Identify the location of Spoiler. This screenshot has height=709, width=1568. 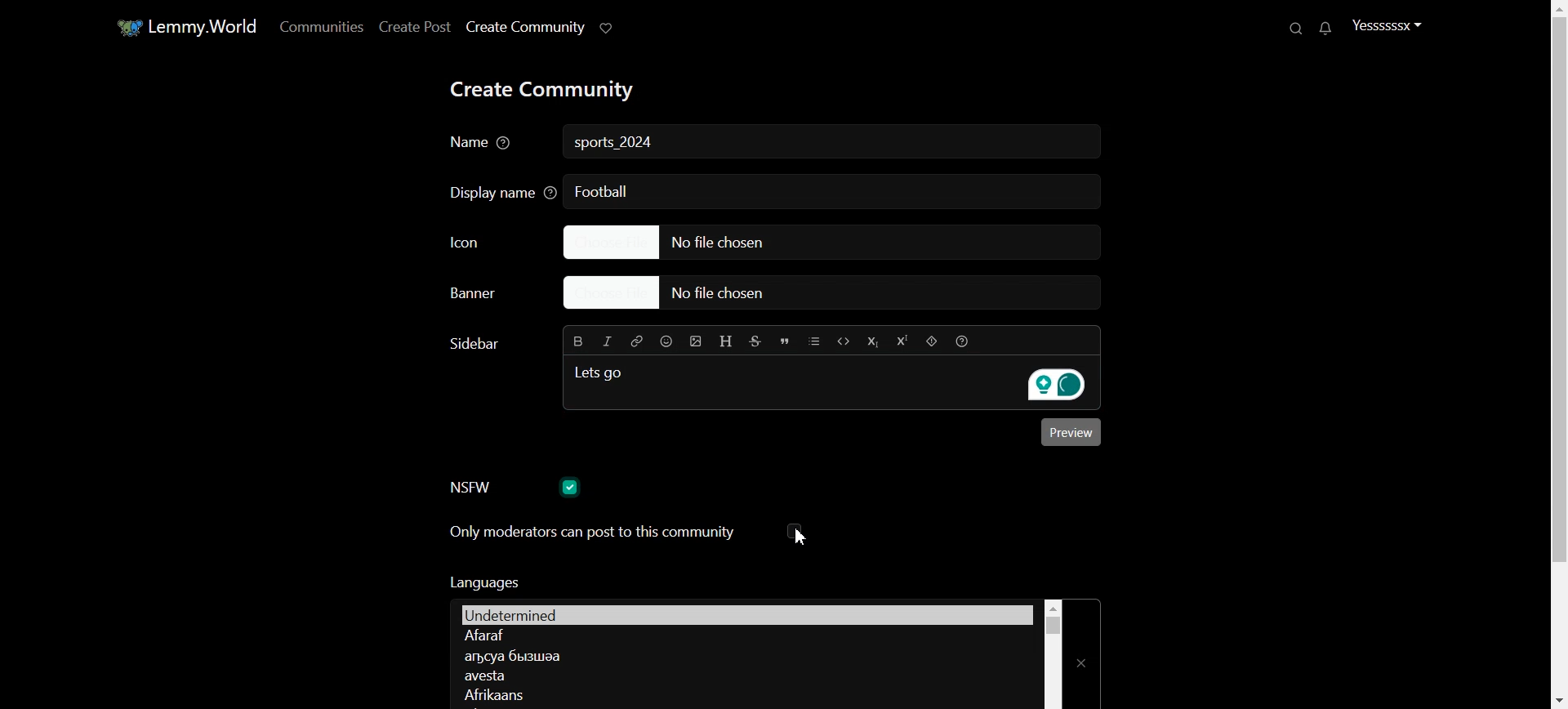
(932, 341).